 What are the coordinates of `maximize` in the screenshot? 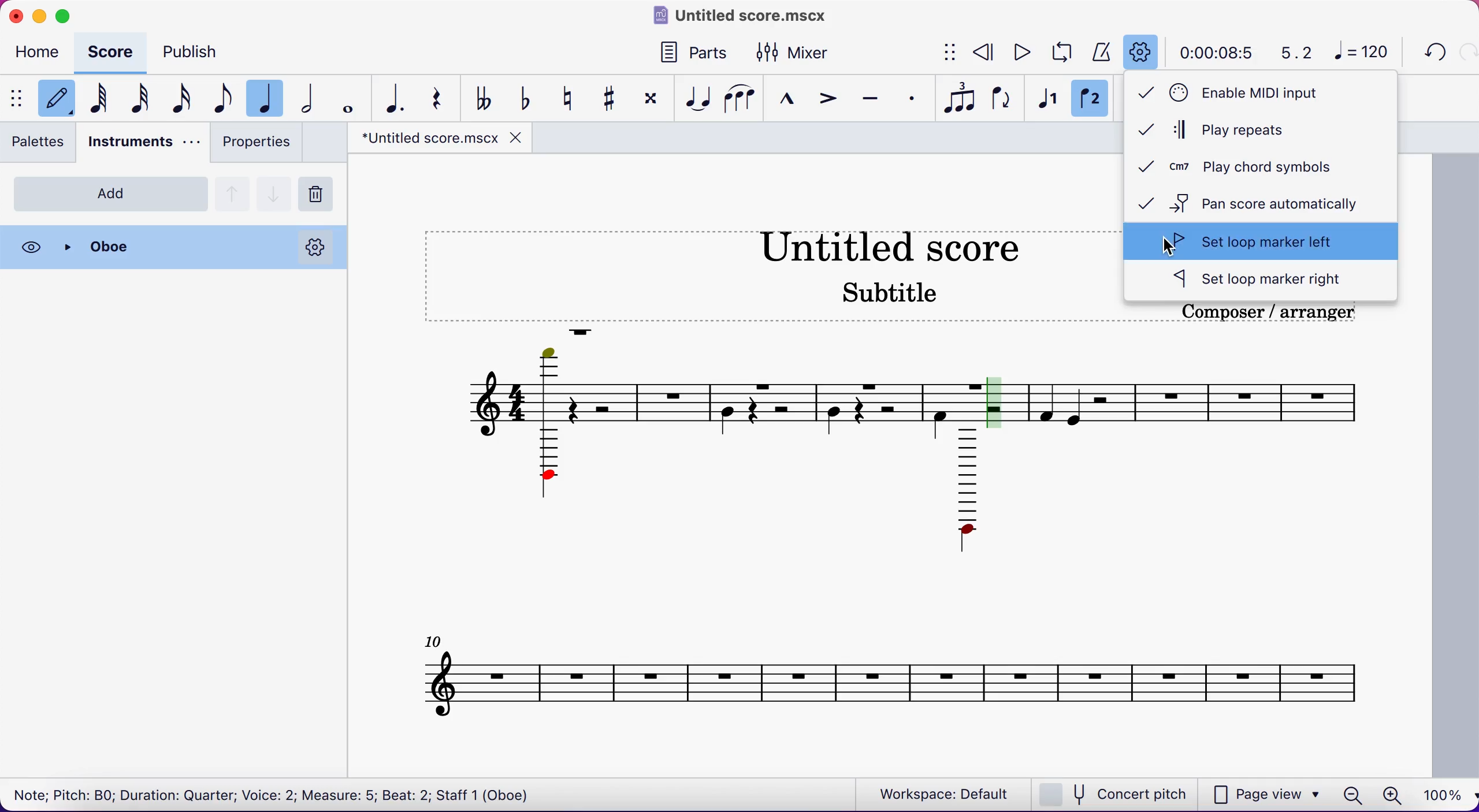 It's located at (68, 13).